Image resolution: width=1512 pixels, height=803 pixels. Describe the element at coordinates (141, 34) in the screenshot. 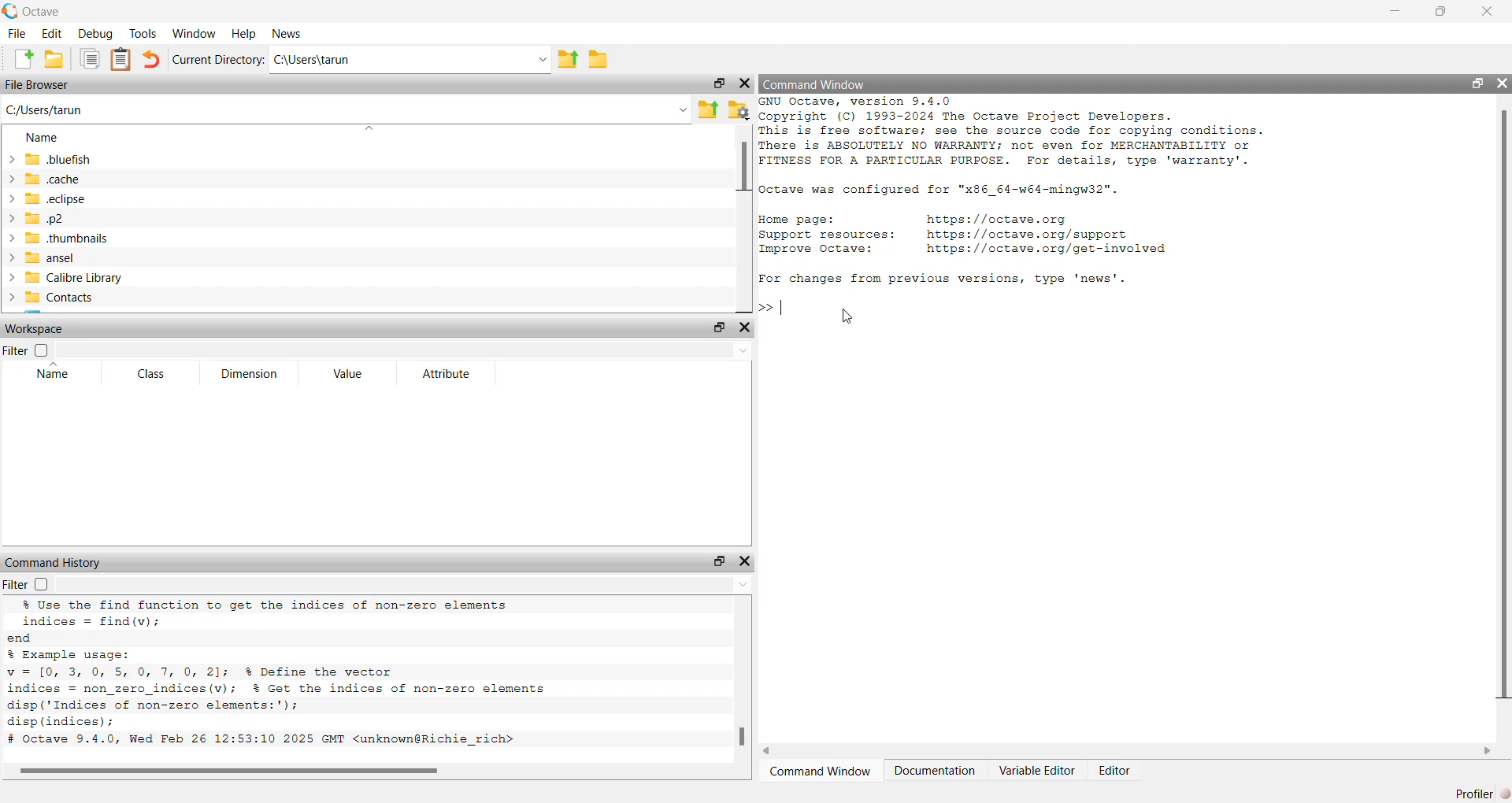

I see `Tools` at that location.